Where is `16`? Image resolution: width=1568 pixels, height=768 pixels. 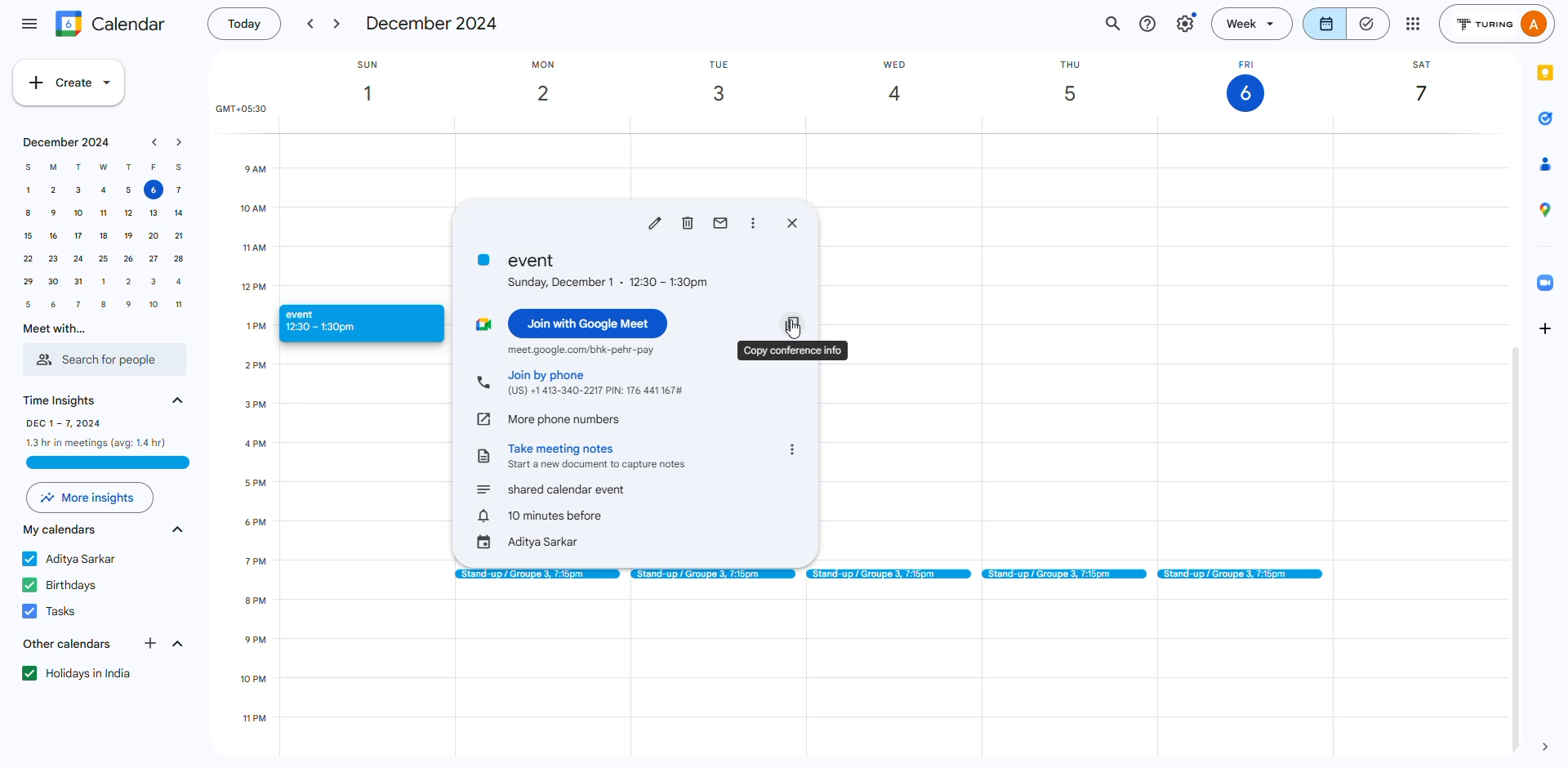
16 is located at coordinates (52, 237).